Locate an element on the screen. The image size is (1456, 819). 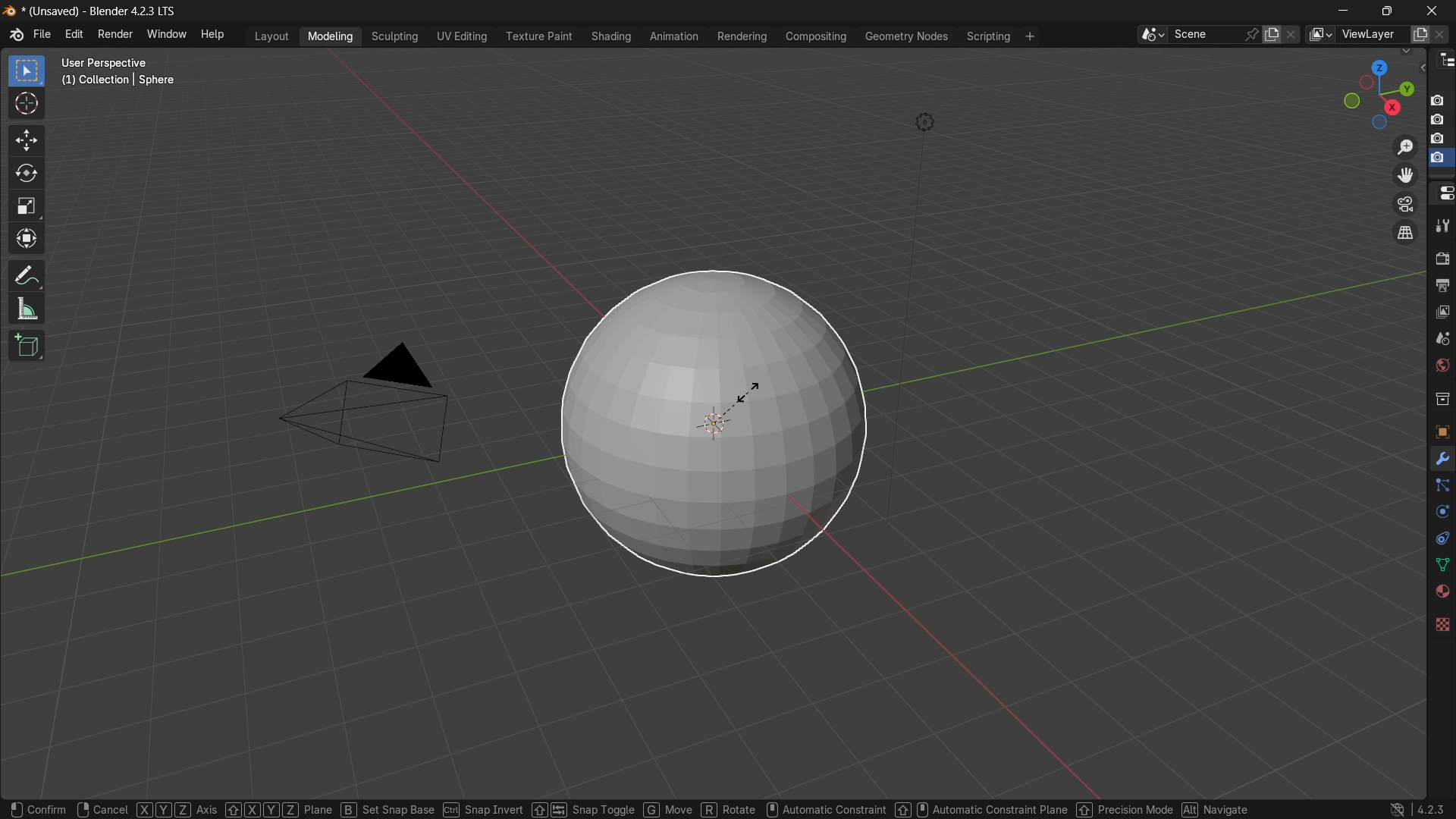
select box is located at coordinates (25, 71).